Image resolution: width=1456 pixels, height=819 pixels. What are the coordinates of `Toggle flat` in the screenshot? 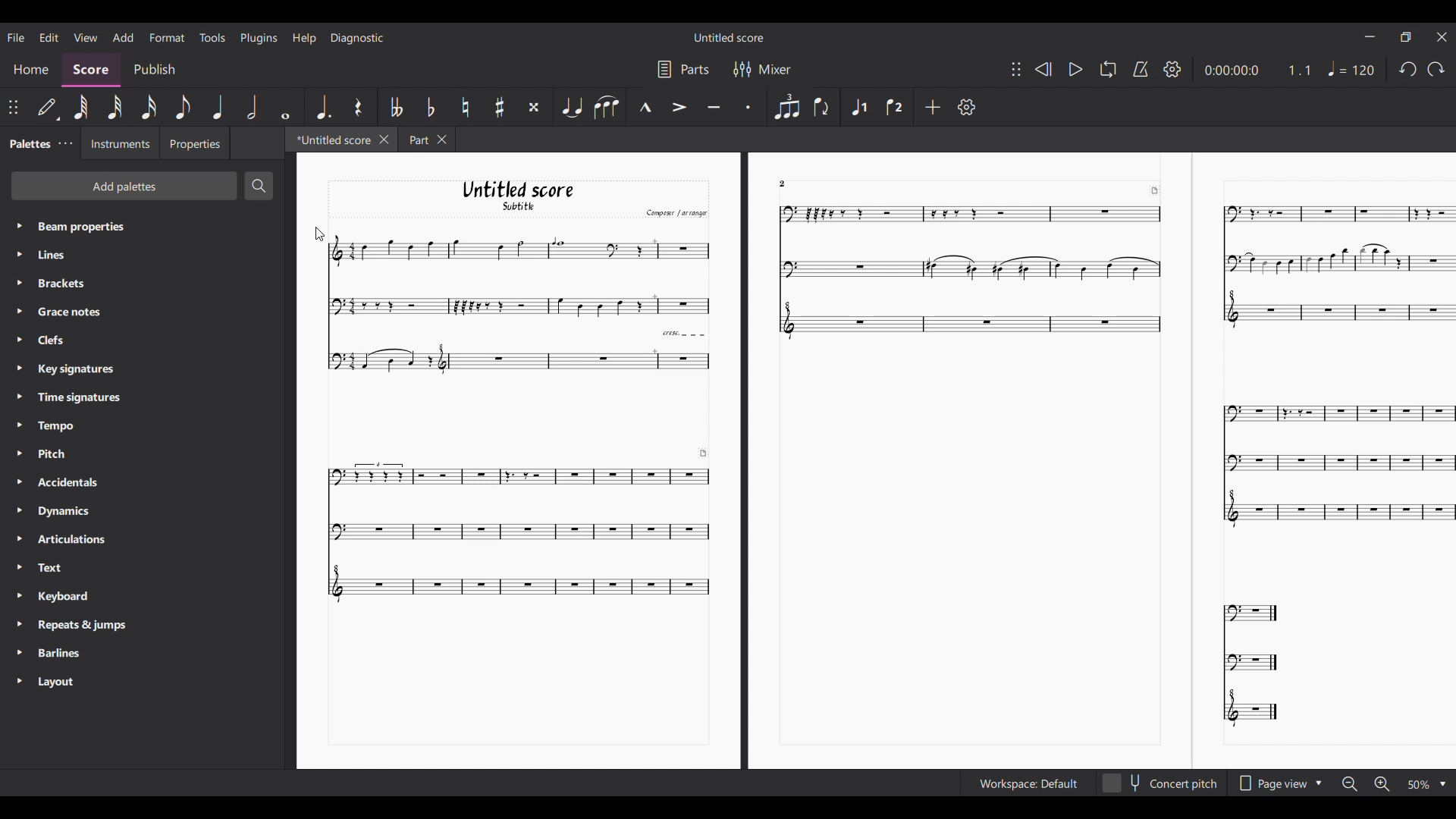 It's located at (430, 107).